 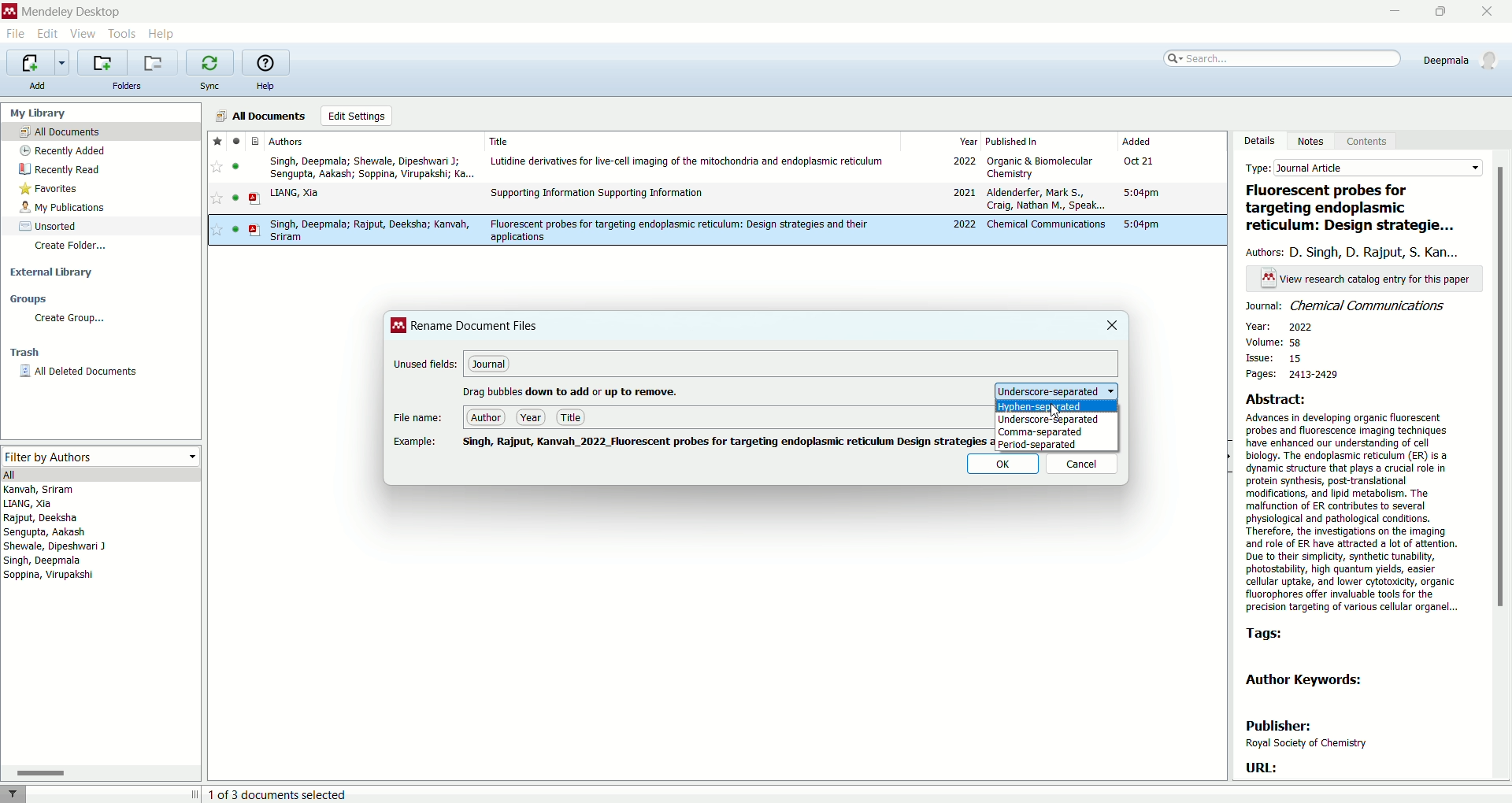 I want to click on read/unread, so click(x=235, y=140).